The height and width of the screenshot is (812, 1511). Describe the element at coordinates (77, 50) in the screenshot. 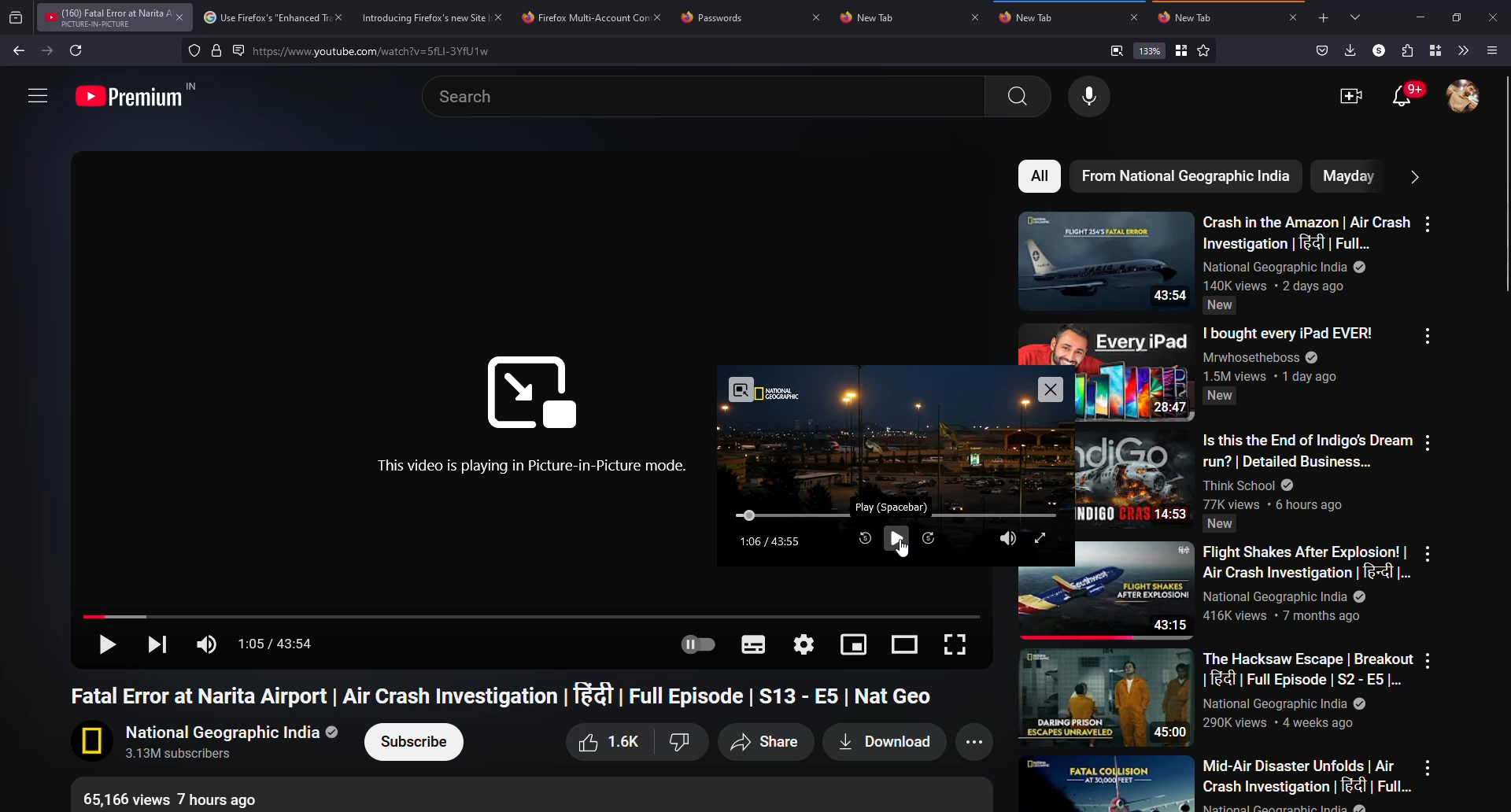

I see `refresh` at that location.